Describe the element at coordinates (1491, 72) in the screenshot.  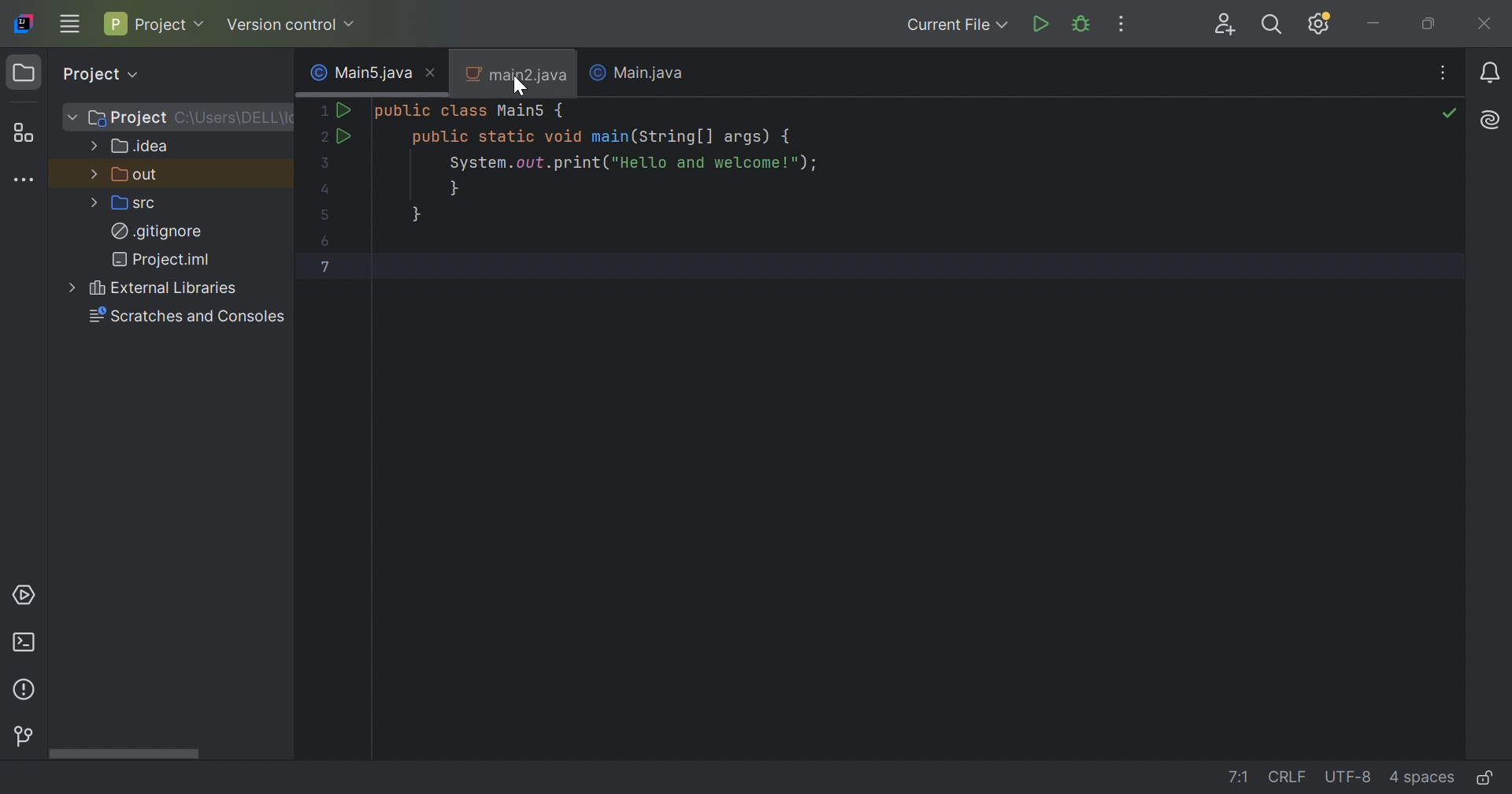
I see `Notifications` at that location.